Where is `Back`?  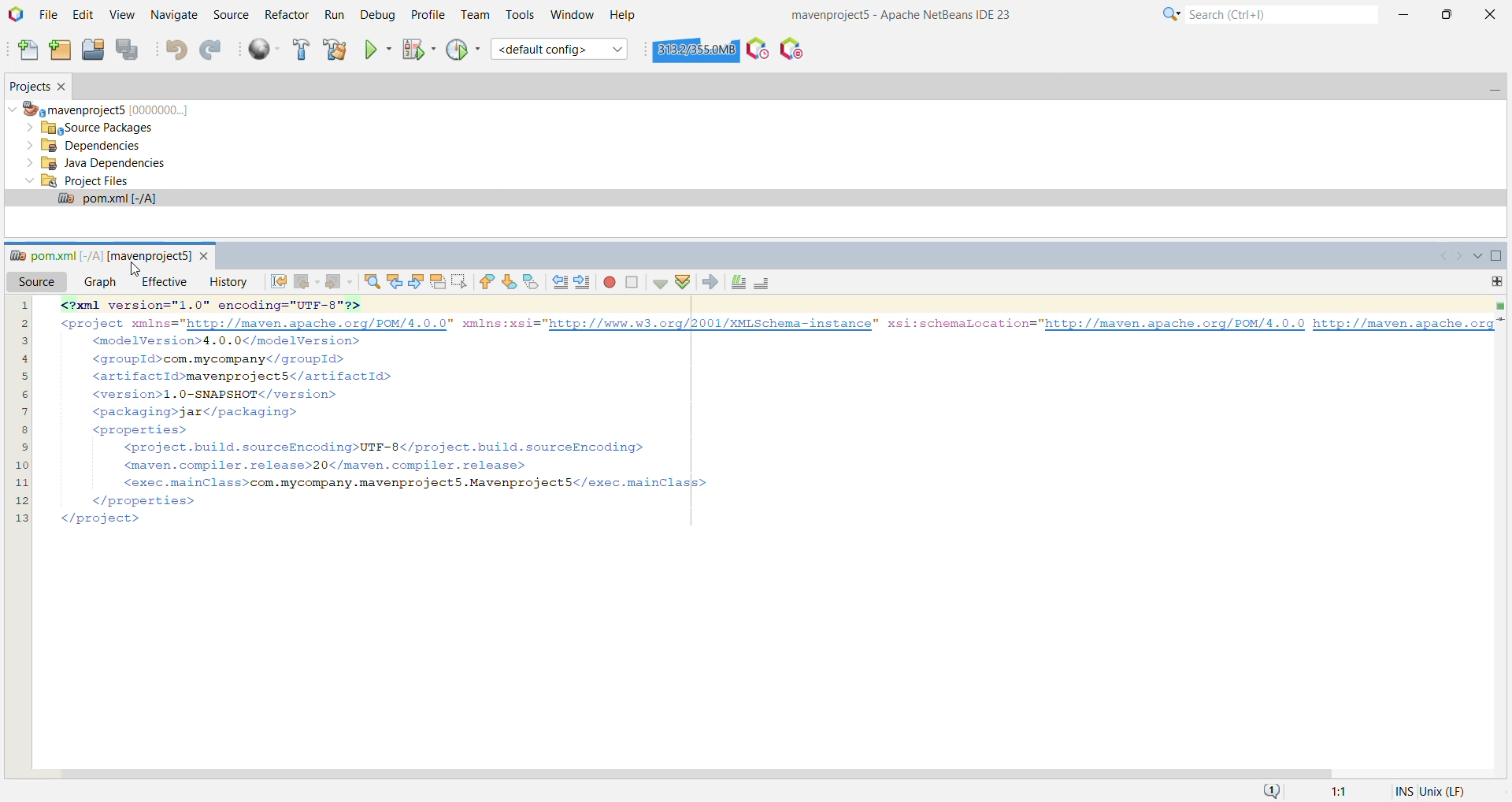 Back is located at coordinates (306, 282).